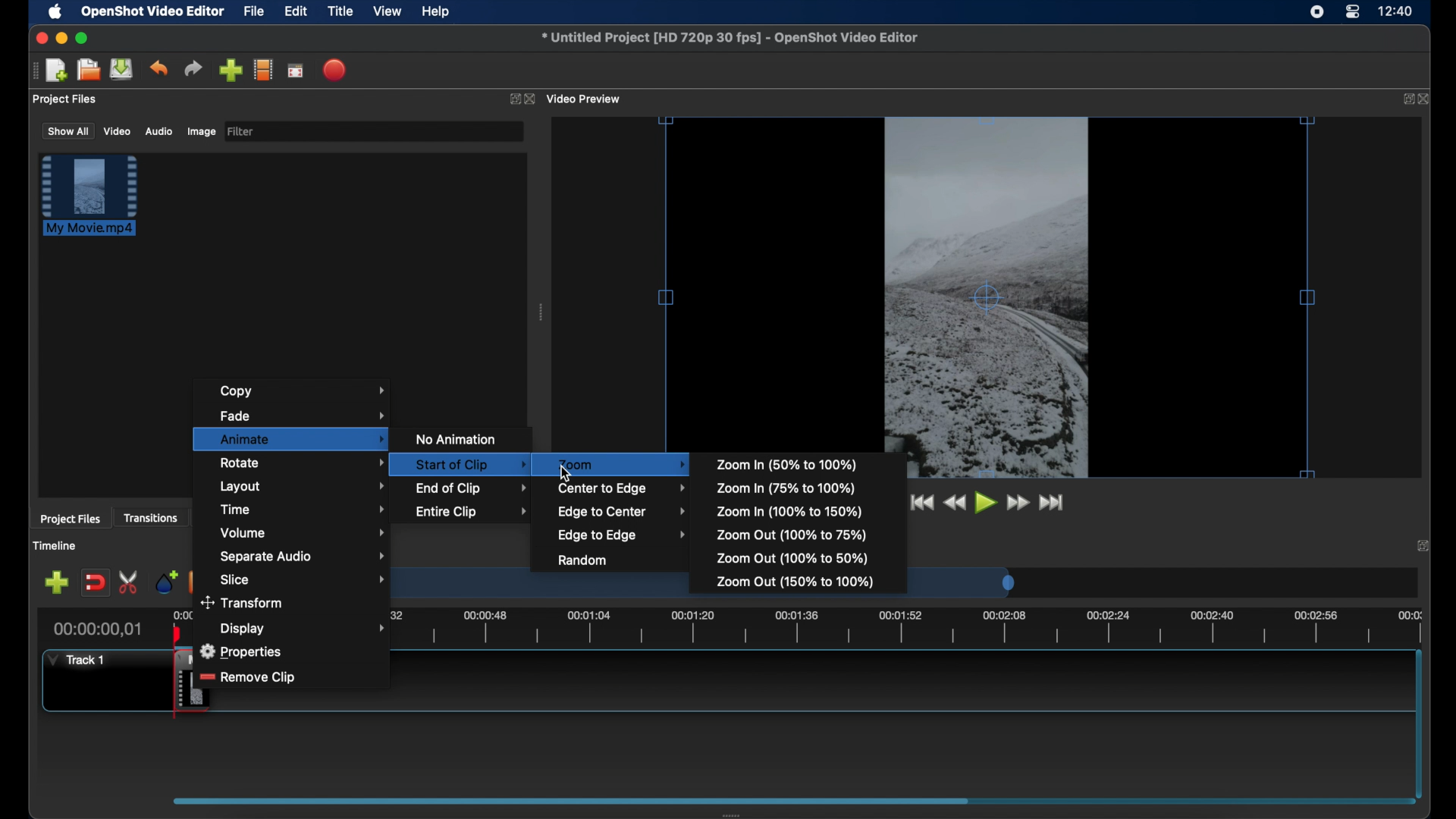 This screenshot has width=1456, height=819. I want to click on timeline scale, so click(541, 590).